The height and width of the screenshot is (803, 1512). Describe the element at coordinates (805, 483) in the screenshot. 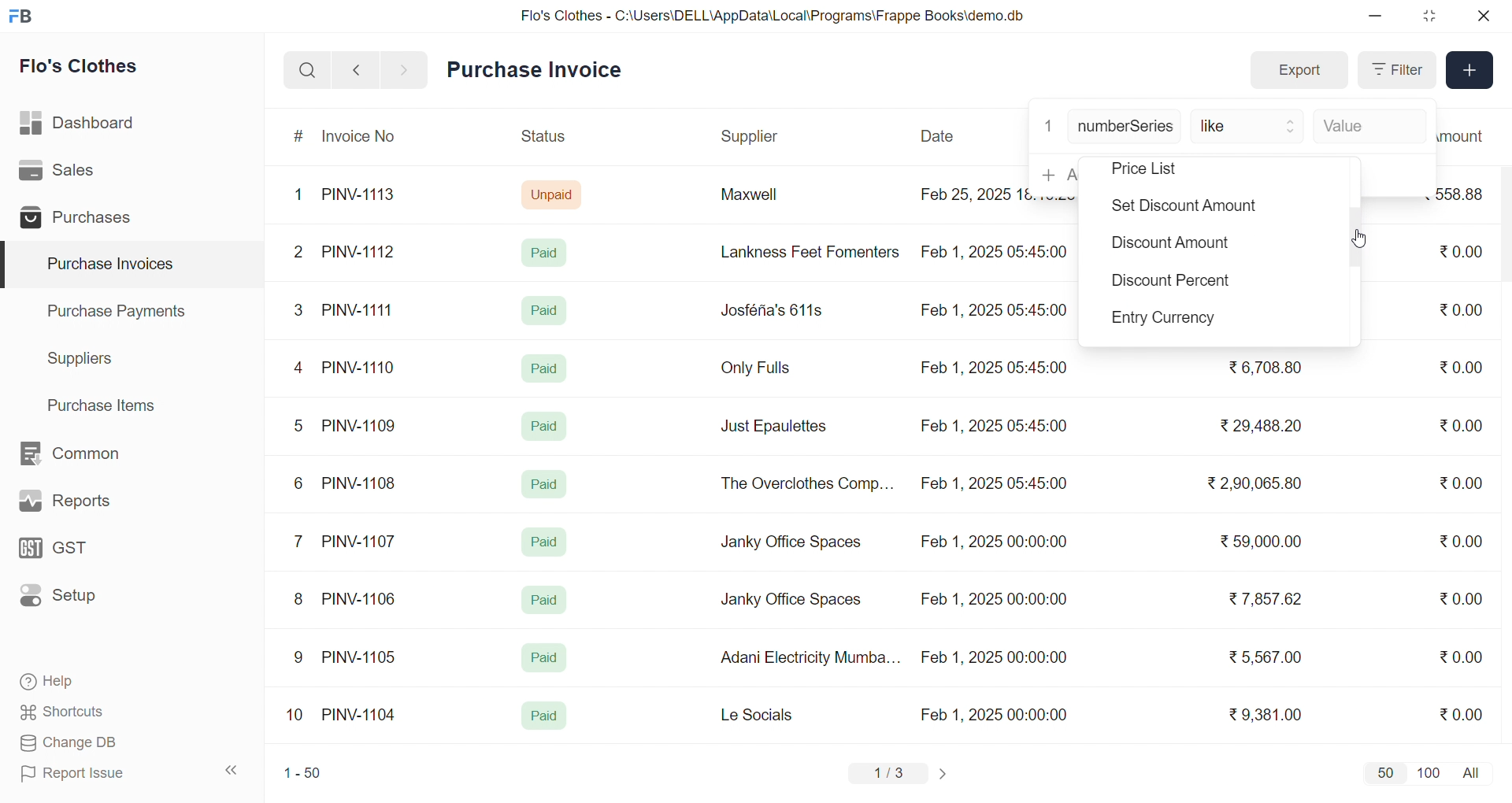

I see `The Overclothes Comp...` at that location.